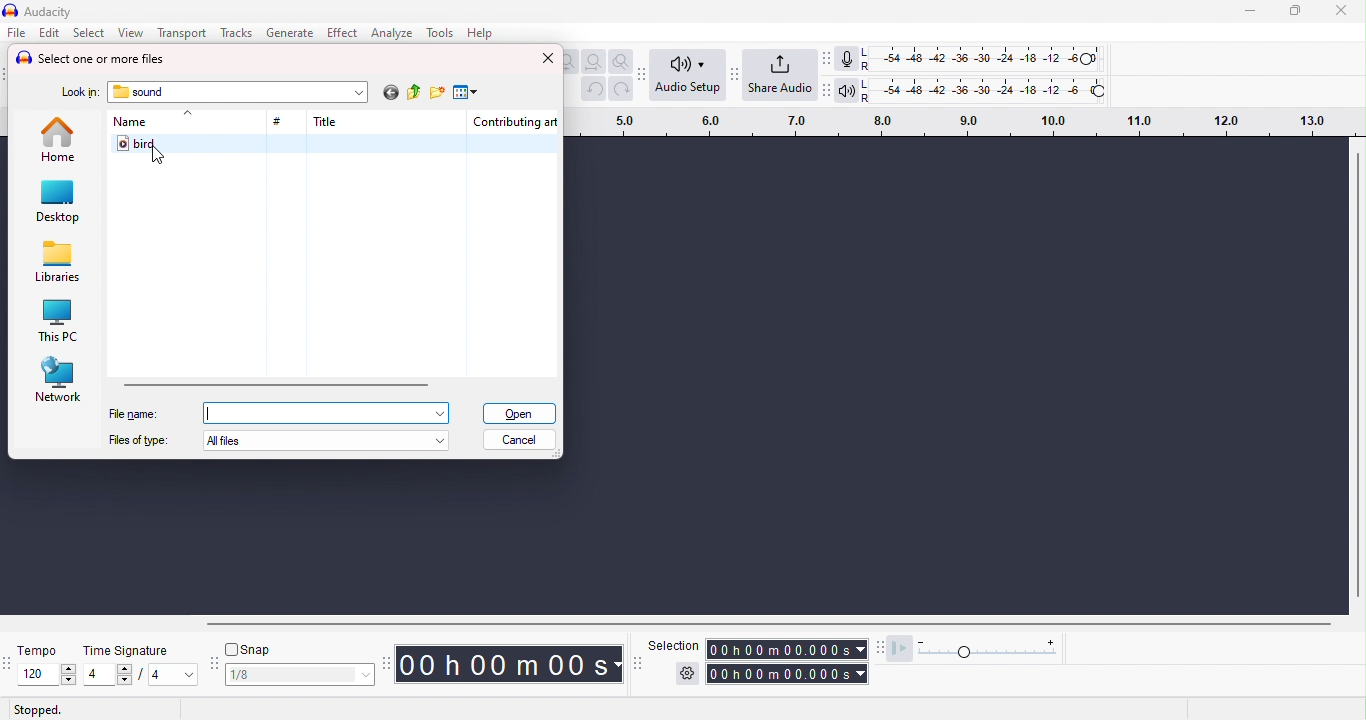 This screenshot has width=1366, height=720. What do you see at coordinates (849, 89) in the screenshot?
I see `playback meter` at bounding box center [849, 89].